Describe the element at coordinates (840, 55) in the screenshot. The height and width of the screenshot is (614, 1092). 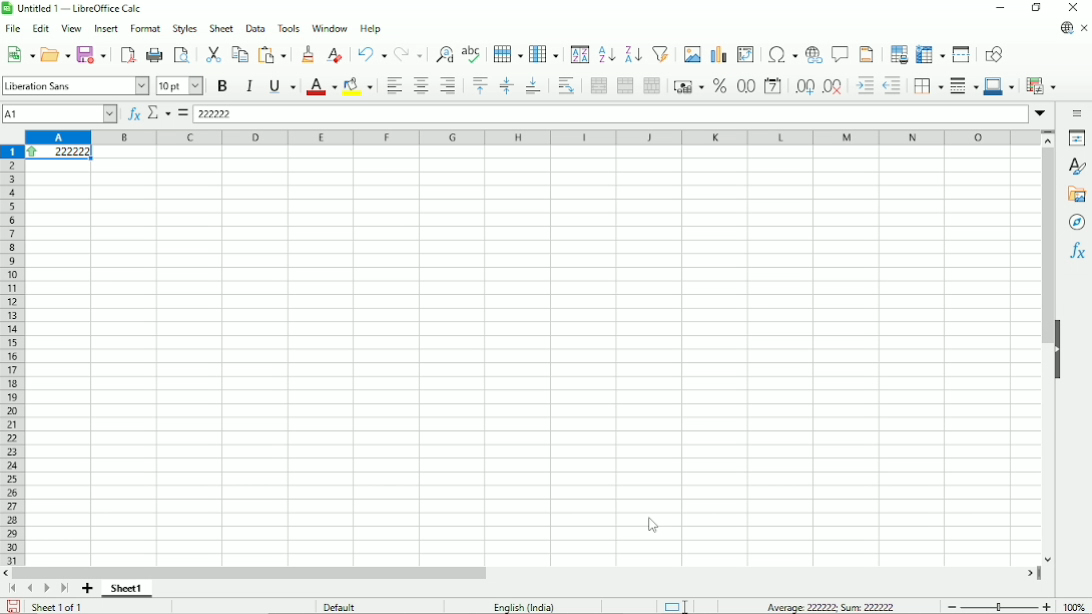
I see `Insert comment` at that location.